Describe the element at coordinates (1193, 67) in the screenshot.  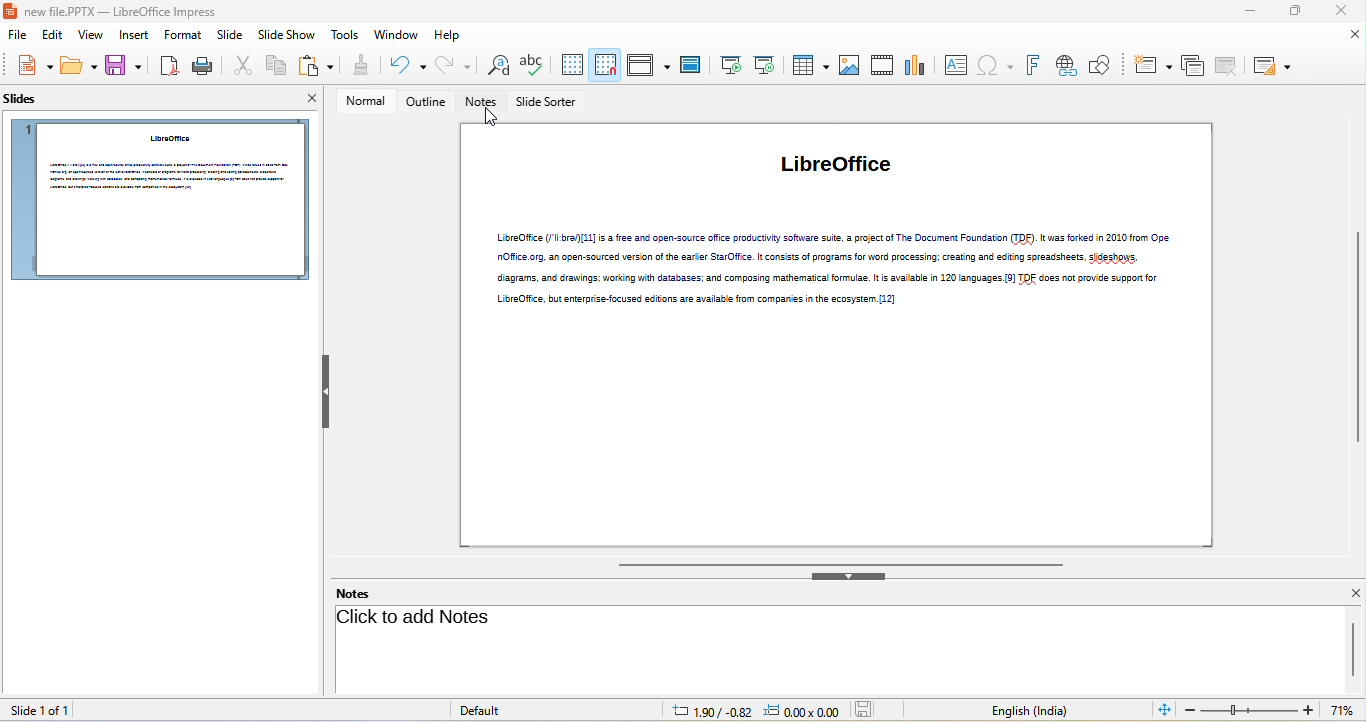
I see `duplicate slide` at that location.